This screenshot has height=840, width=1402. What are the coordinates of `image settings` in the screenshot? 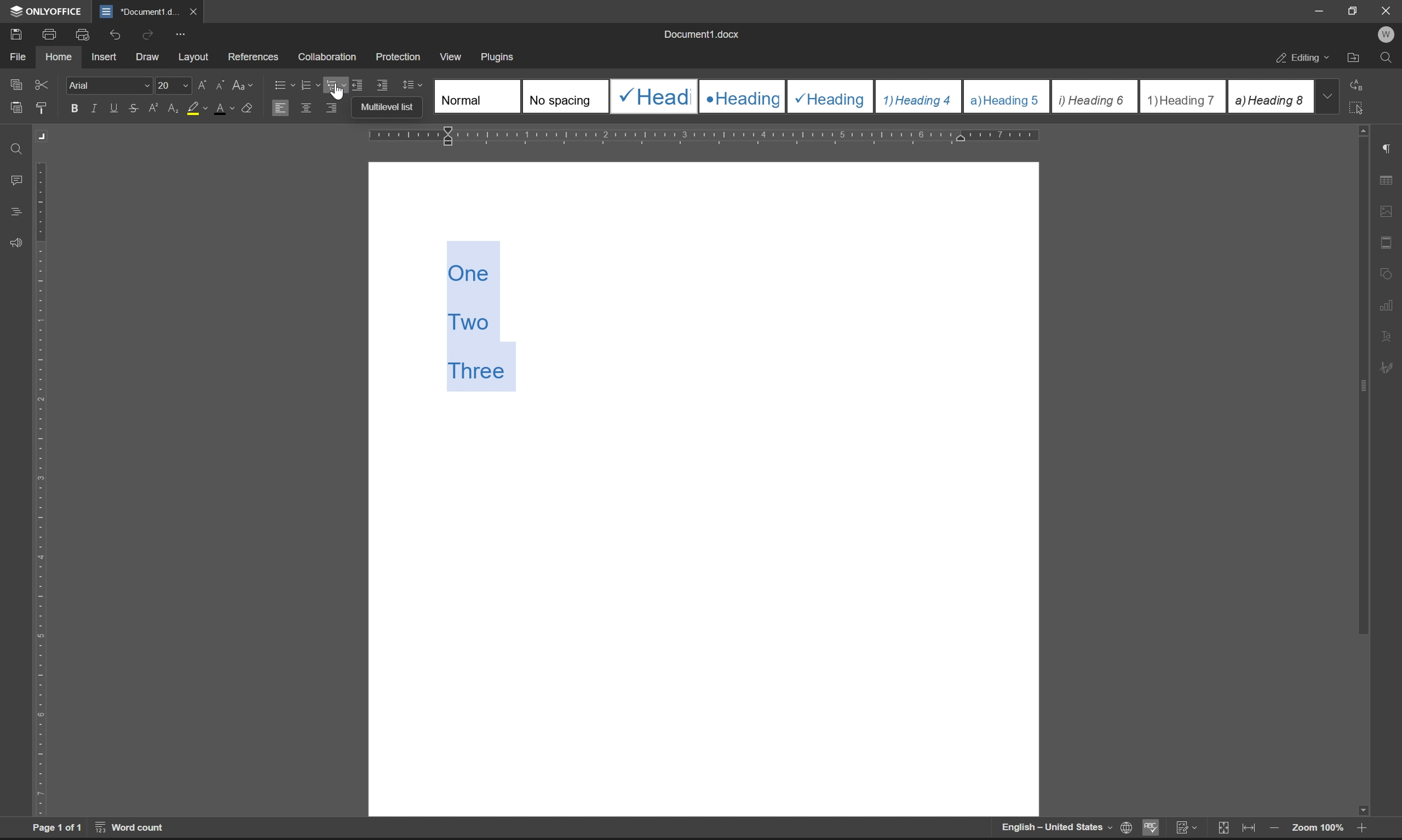 It's located at (1386, 208).